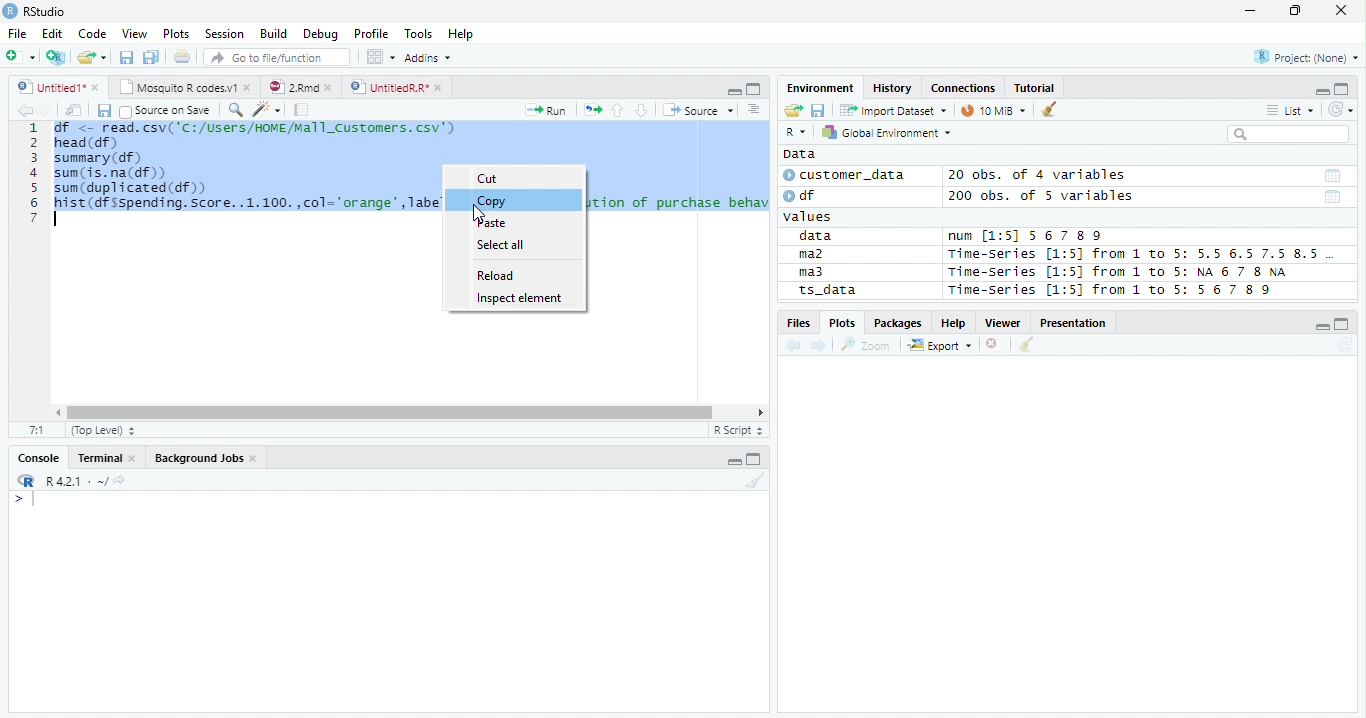 This screenshot has width=1366, height=718. What do you see at coordinates (1026, 236) in the screenshot?
I see `num [1:5] 567 89` at bounding box center [1026, 236].